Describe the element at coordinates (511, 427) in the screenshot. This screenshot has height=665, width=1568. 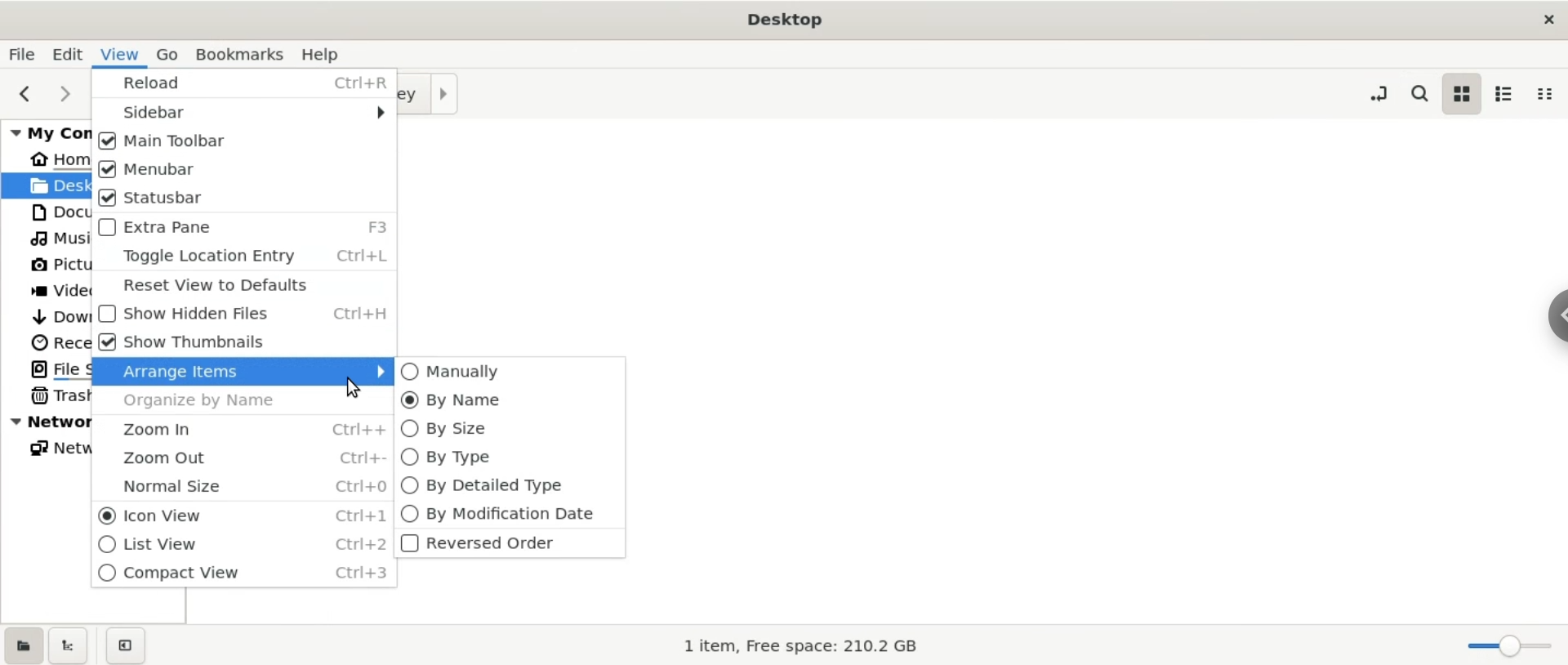
I see `by size` at that location.